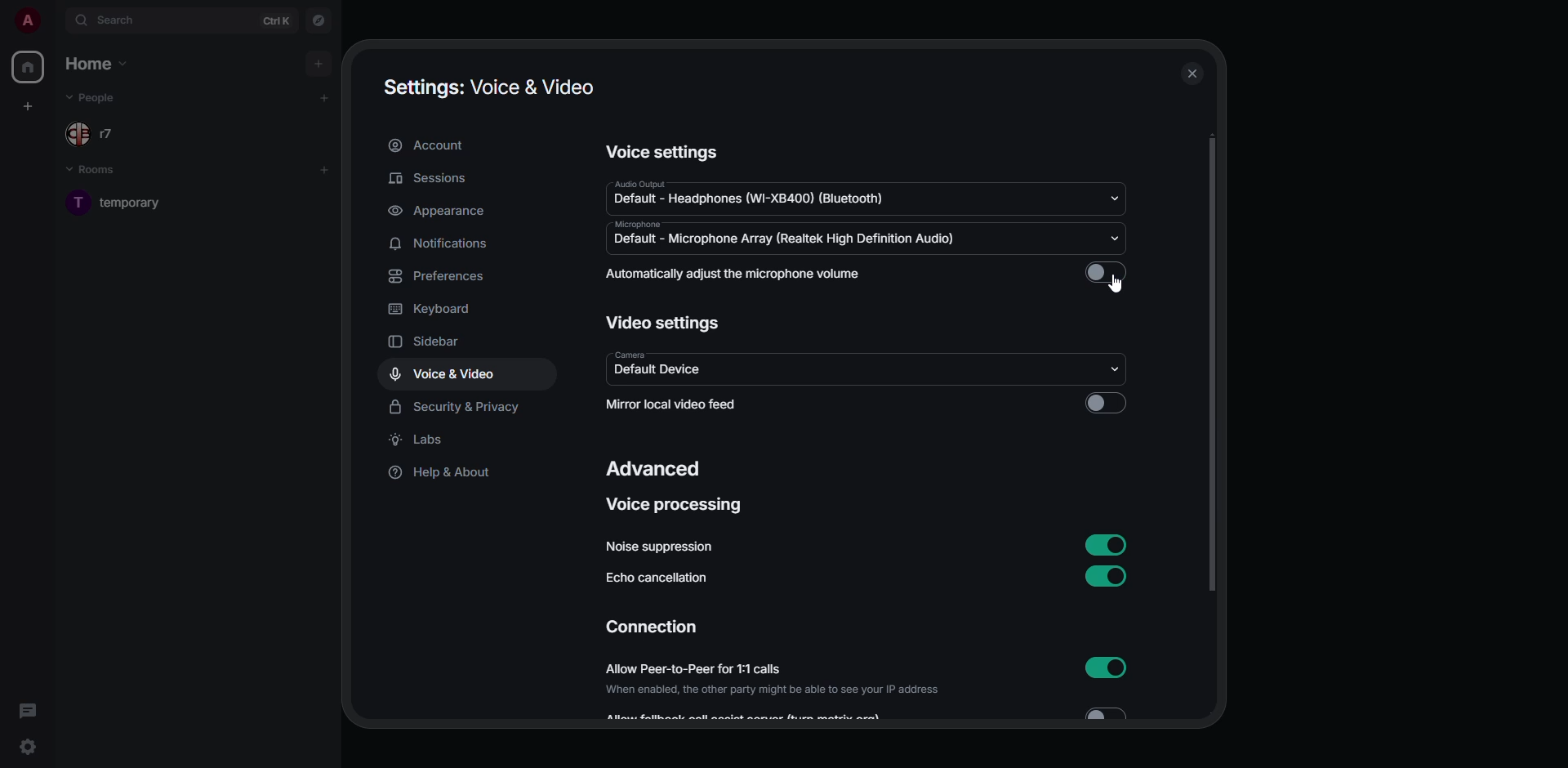  I want to click on help & about, so click(447, 475).